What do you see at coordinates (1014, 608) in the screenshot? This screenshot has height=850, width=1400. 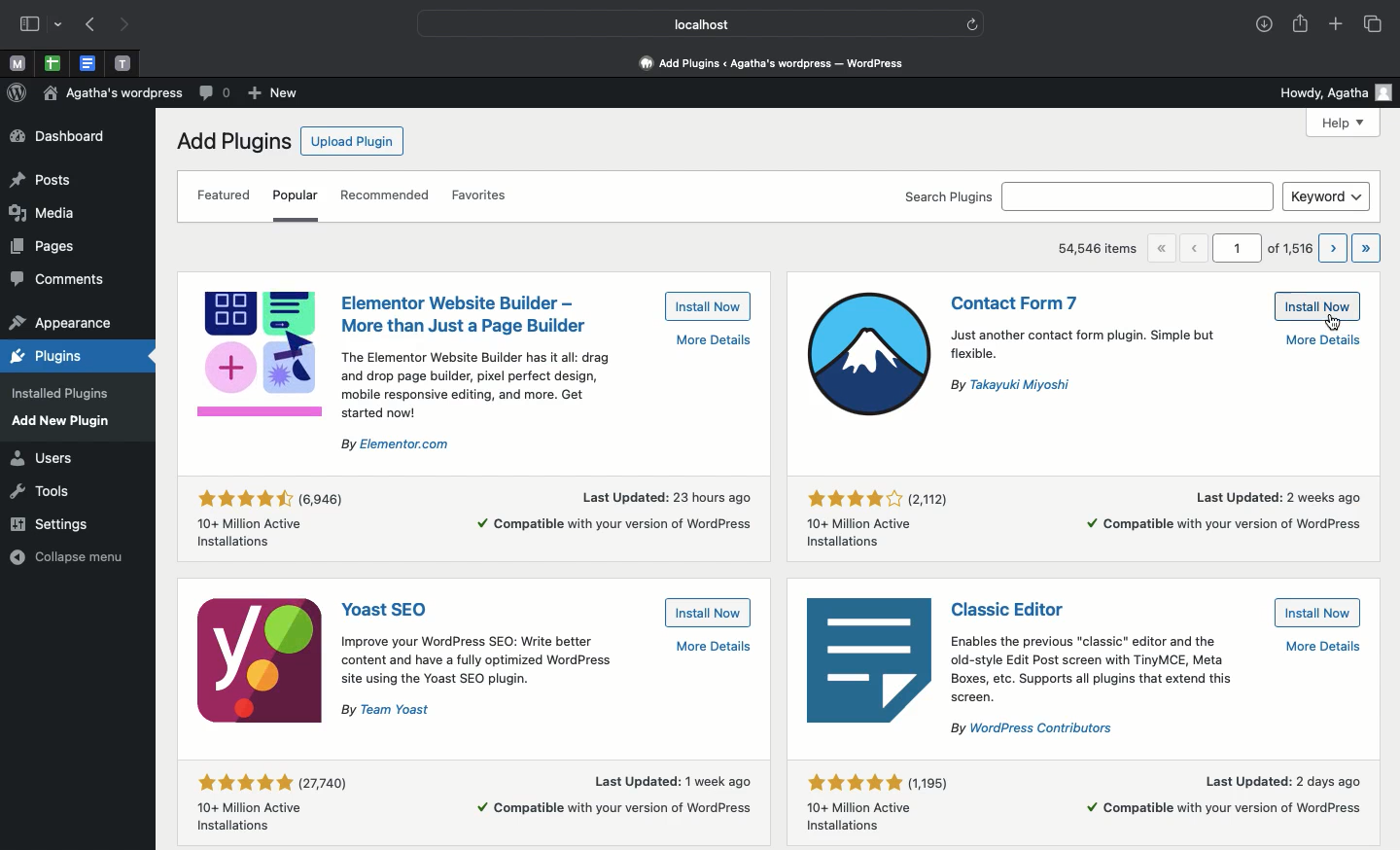 I see `Classic editor` at bounding box center [1014, 608].